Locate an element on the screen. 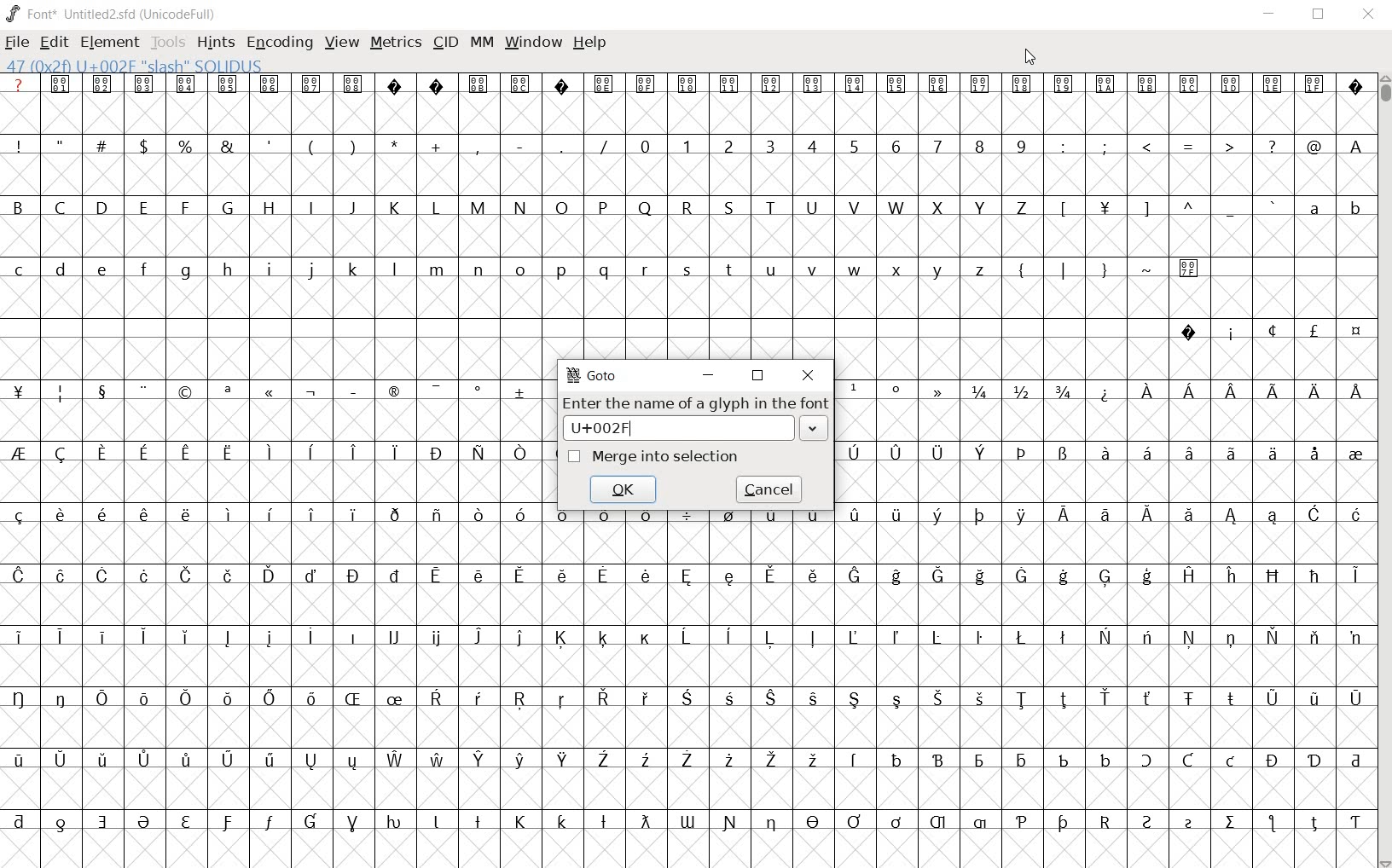  small letters a - b is located at coordinates (1325, 208).